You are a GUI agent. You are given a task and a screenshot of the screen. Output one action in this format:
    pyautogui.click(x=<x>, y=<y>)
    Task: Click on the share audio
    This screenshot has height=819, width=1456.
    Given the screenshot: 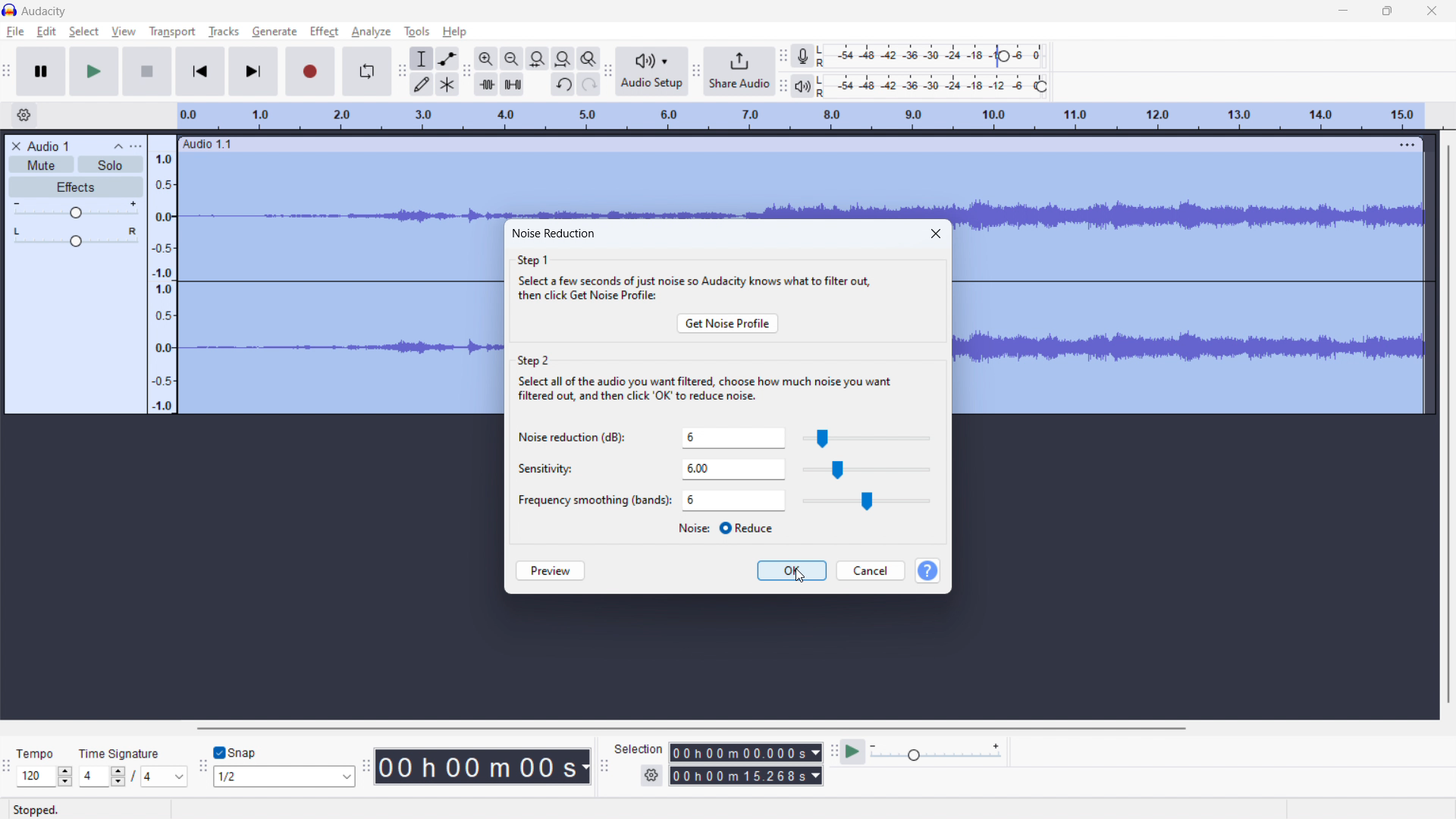 What is the action you would take?
    pyautogui.click(x=739, y=71)
    